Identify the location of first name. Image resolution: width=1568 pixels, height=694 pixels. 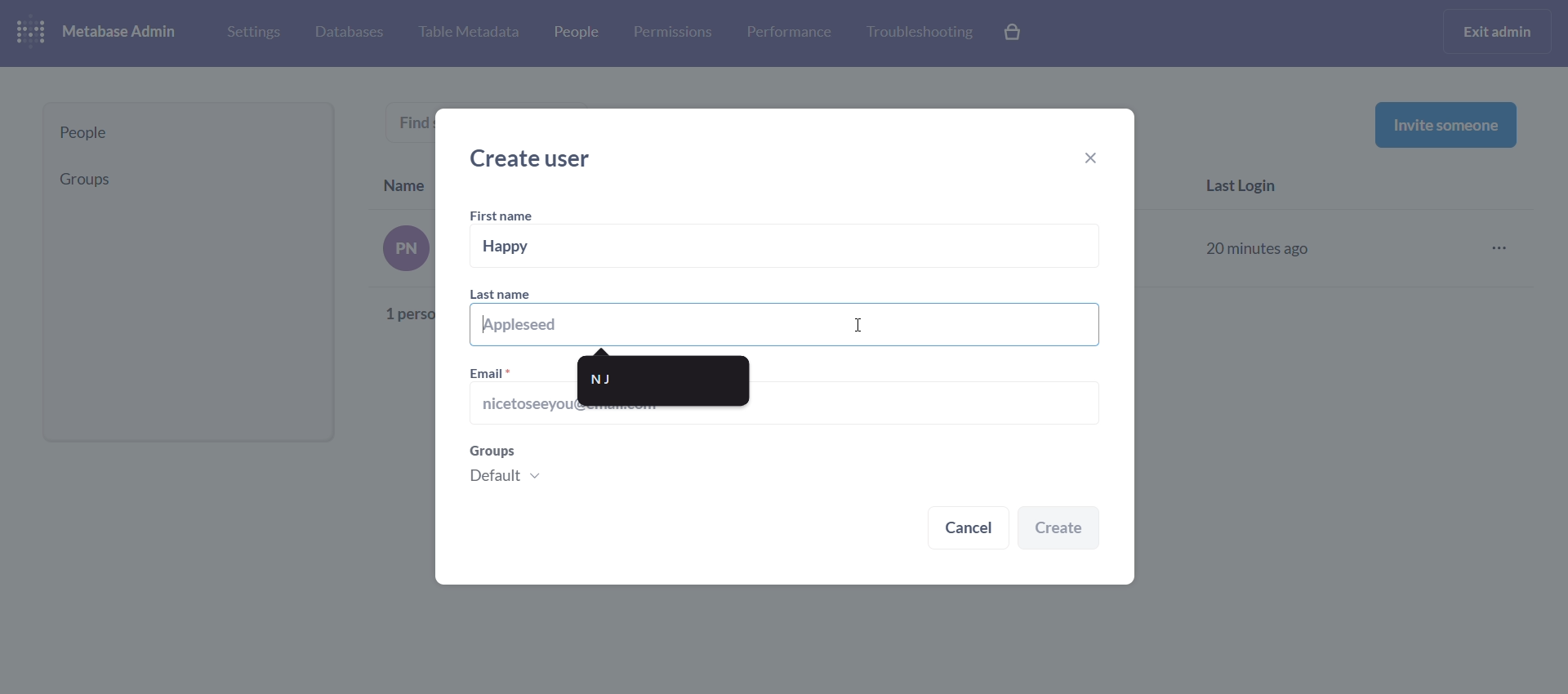
(505, 216).